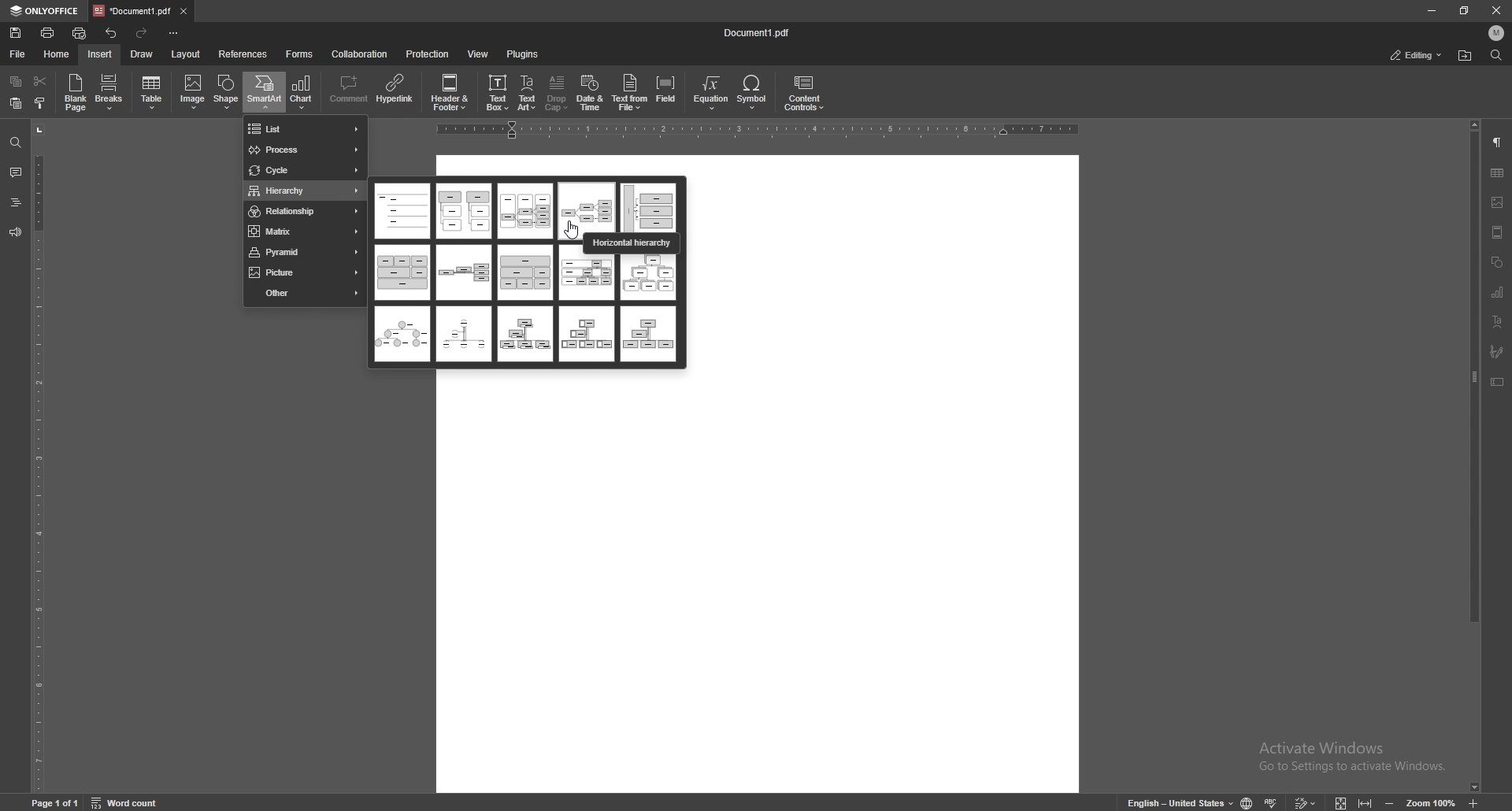  Describe the element at coordinates (524, 334) in the screenshot. I see `hierarchy smart art` at that location.